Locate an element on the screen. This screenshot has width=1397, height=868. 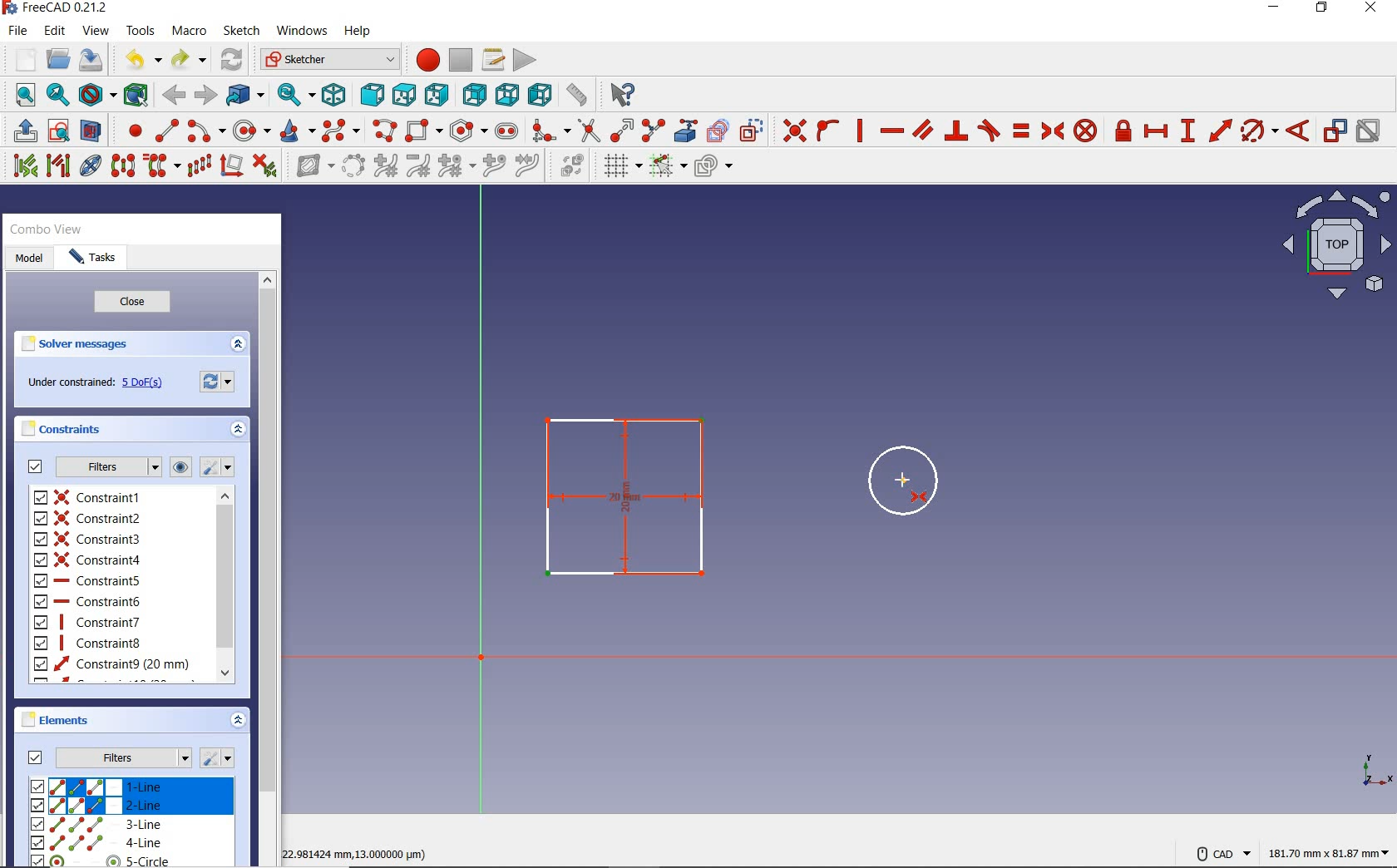
sync view is located at coordinates (295, 94).